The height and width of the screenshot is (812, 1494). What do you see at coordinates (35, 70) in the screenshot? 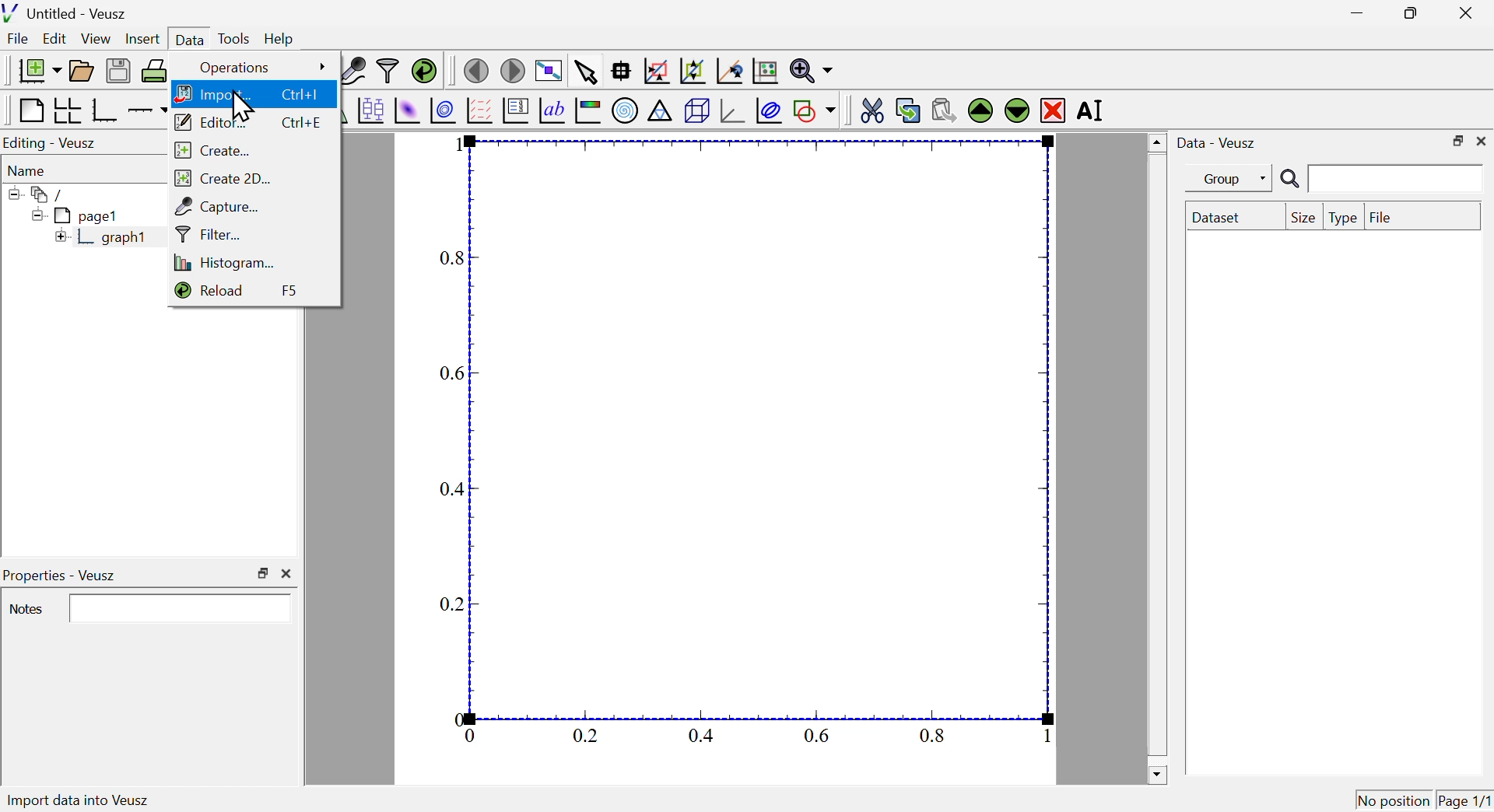
I see `new document` at bounding box center [35, 70].